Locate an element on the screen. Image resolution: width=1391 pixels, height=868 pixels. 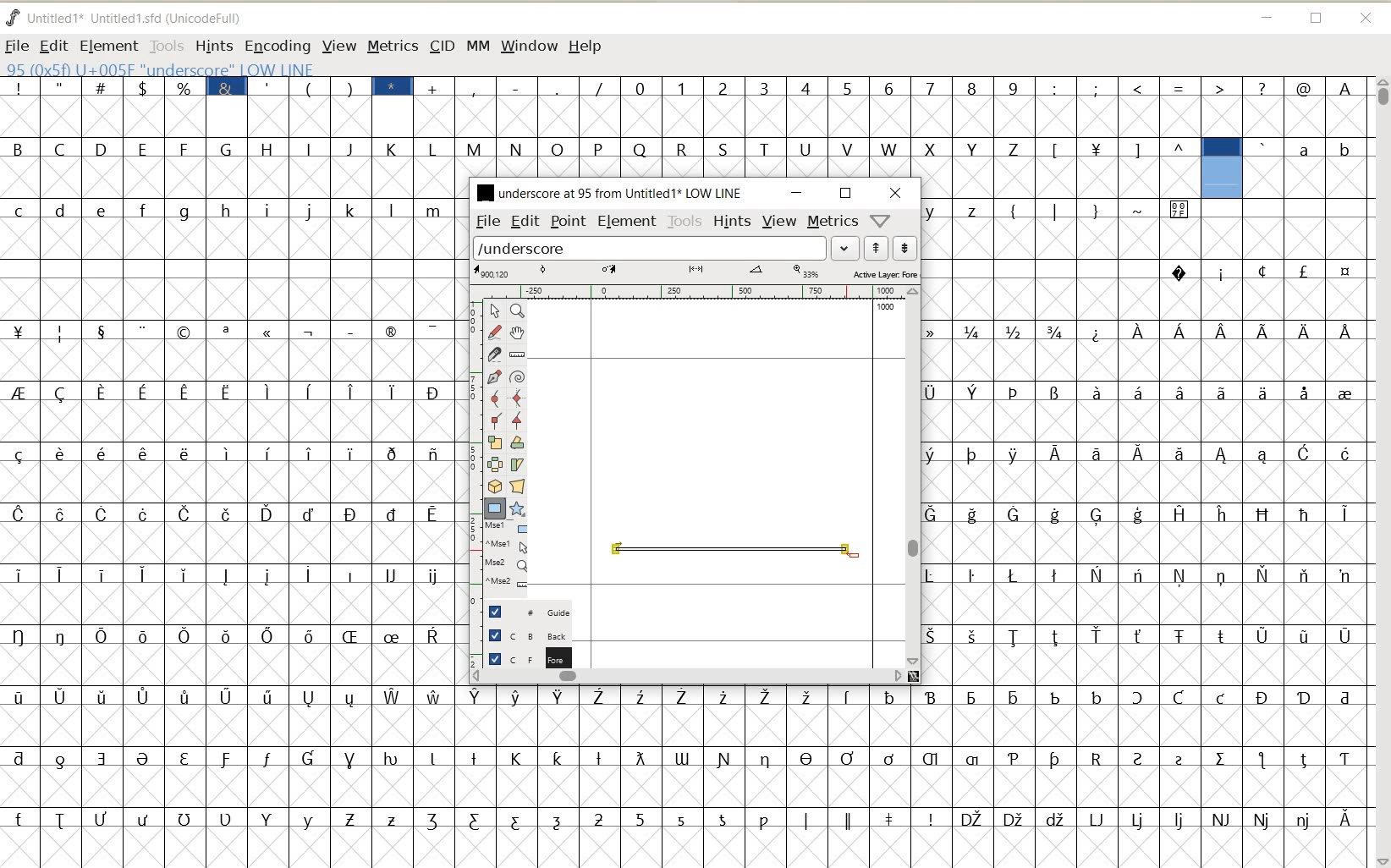
change whether spiro is active or not is located at coordinates (517, 375).